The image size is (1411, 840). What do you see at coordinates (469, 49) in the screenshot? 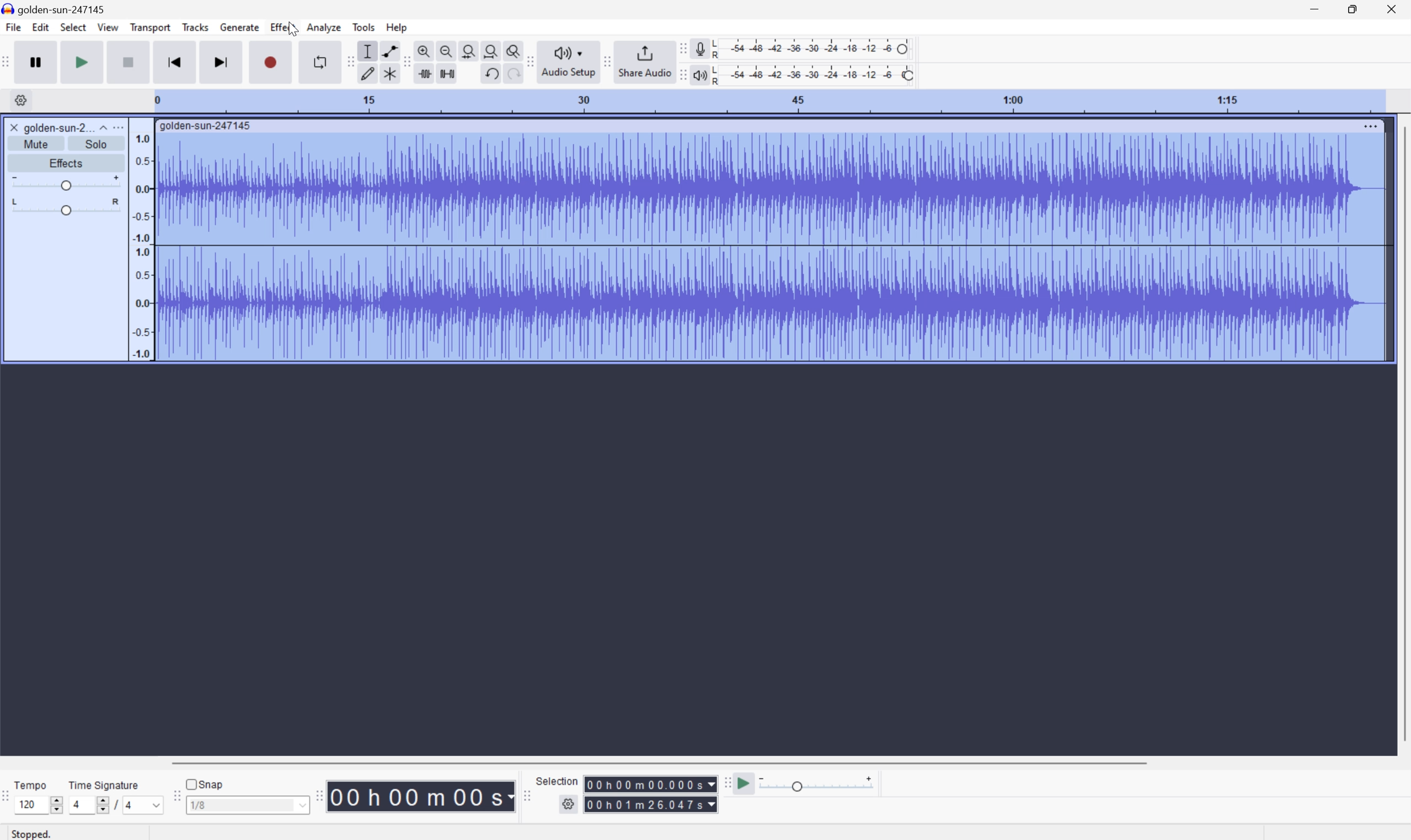
I see `Fit selection to width` at bounding box center [469, 49].